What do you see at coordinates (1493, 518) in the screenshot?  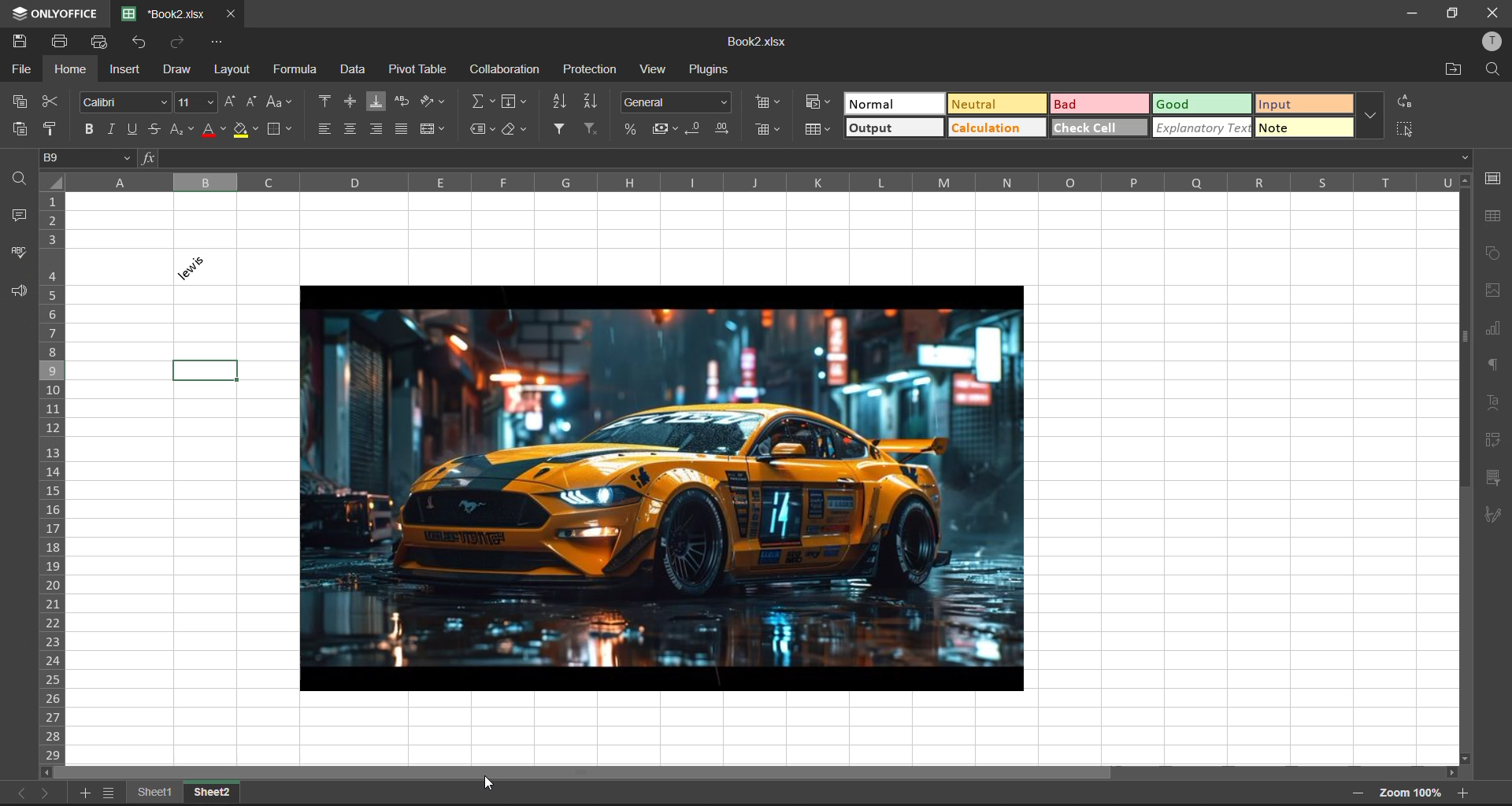 I see `signature` at bounding box center [1493, 518].